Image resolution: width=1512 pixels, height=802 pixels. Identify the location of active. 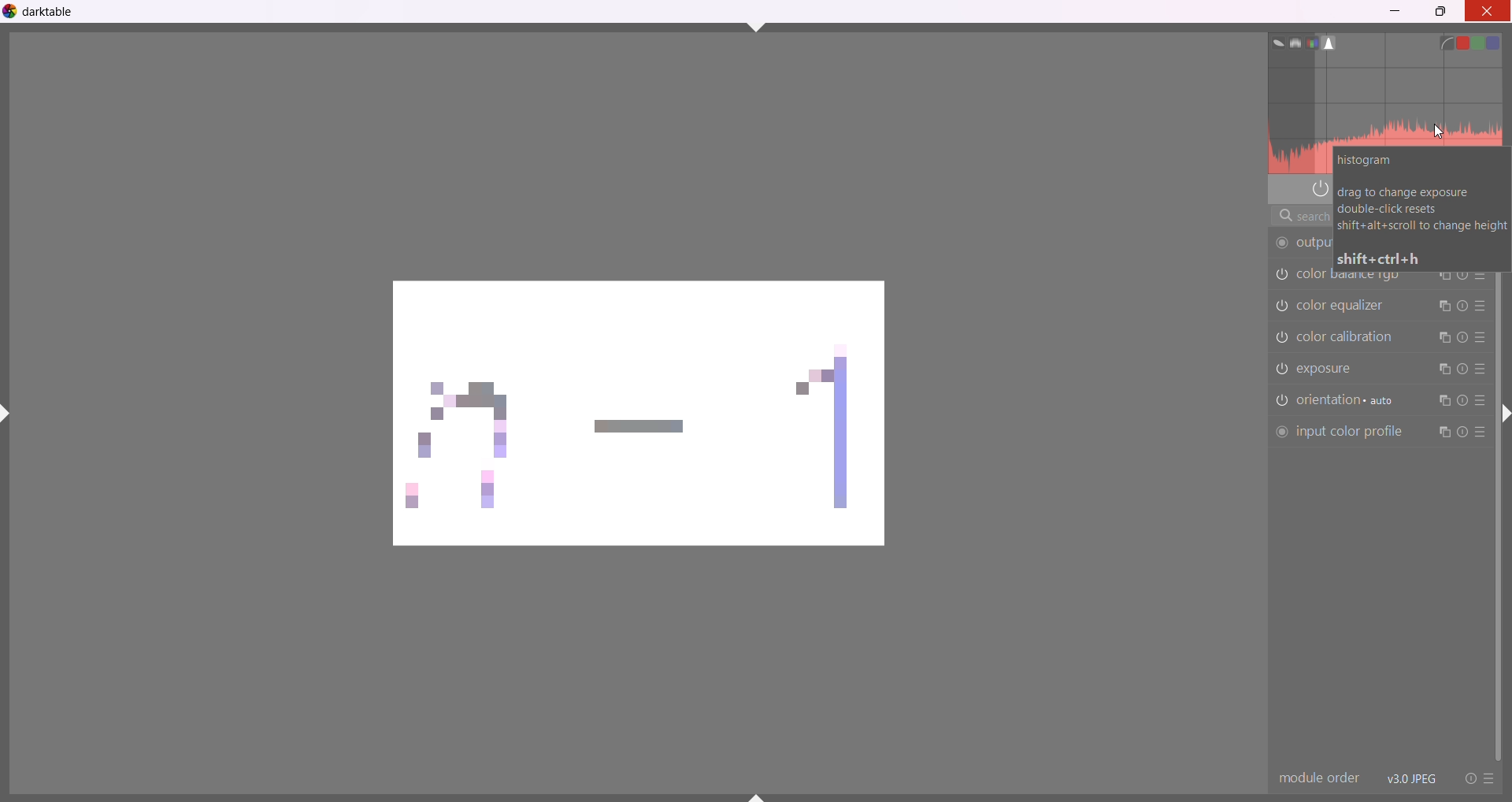
(1319, 188).